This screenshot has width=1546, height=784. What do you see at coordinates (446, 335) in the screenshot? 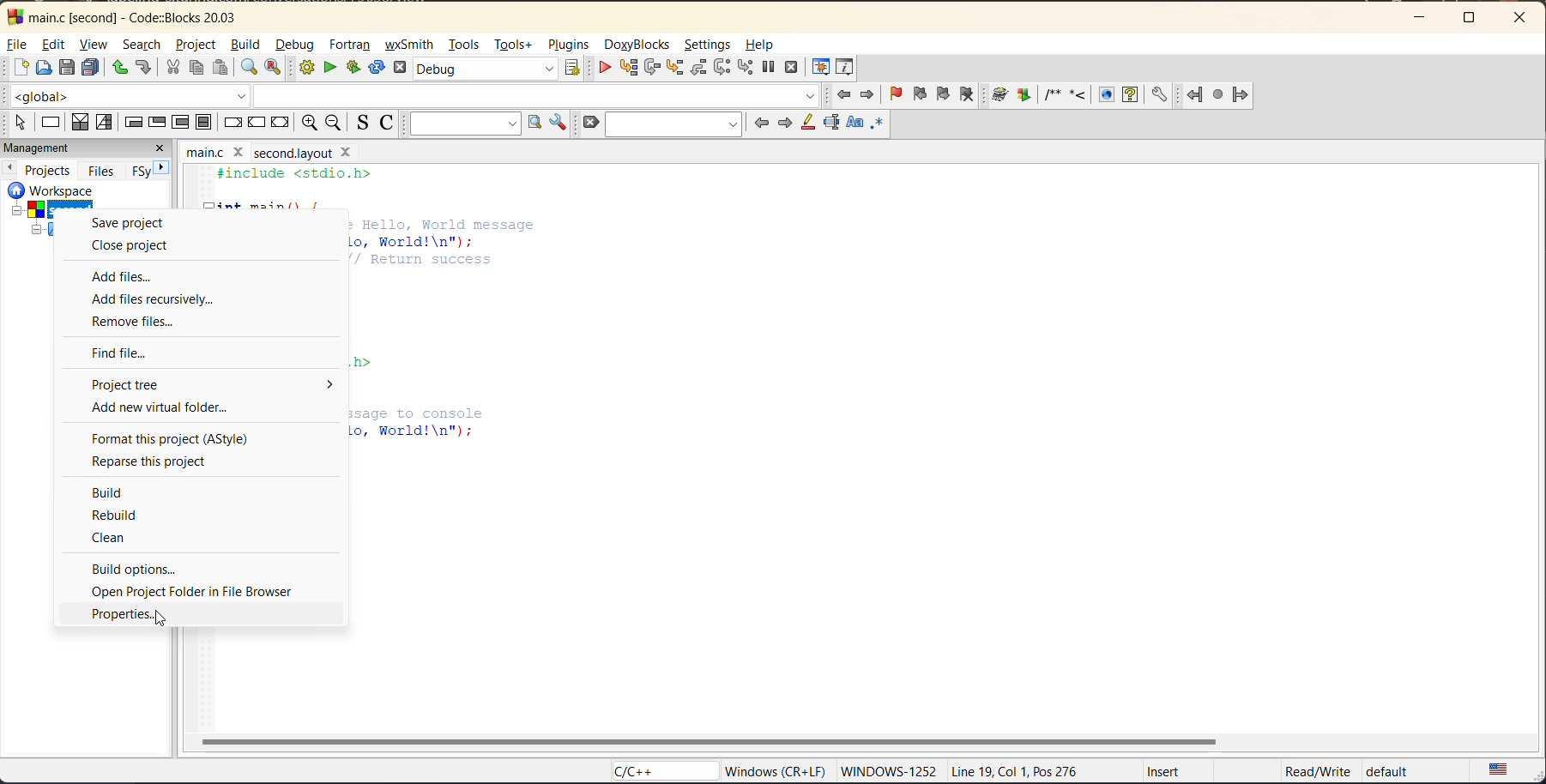
I see `code editor` at bounding box center [446, 335].